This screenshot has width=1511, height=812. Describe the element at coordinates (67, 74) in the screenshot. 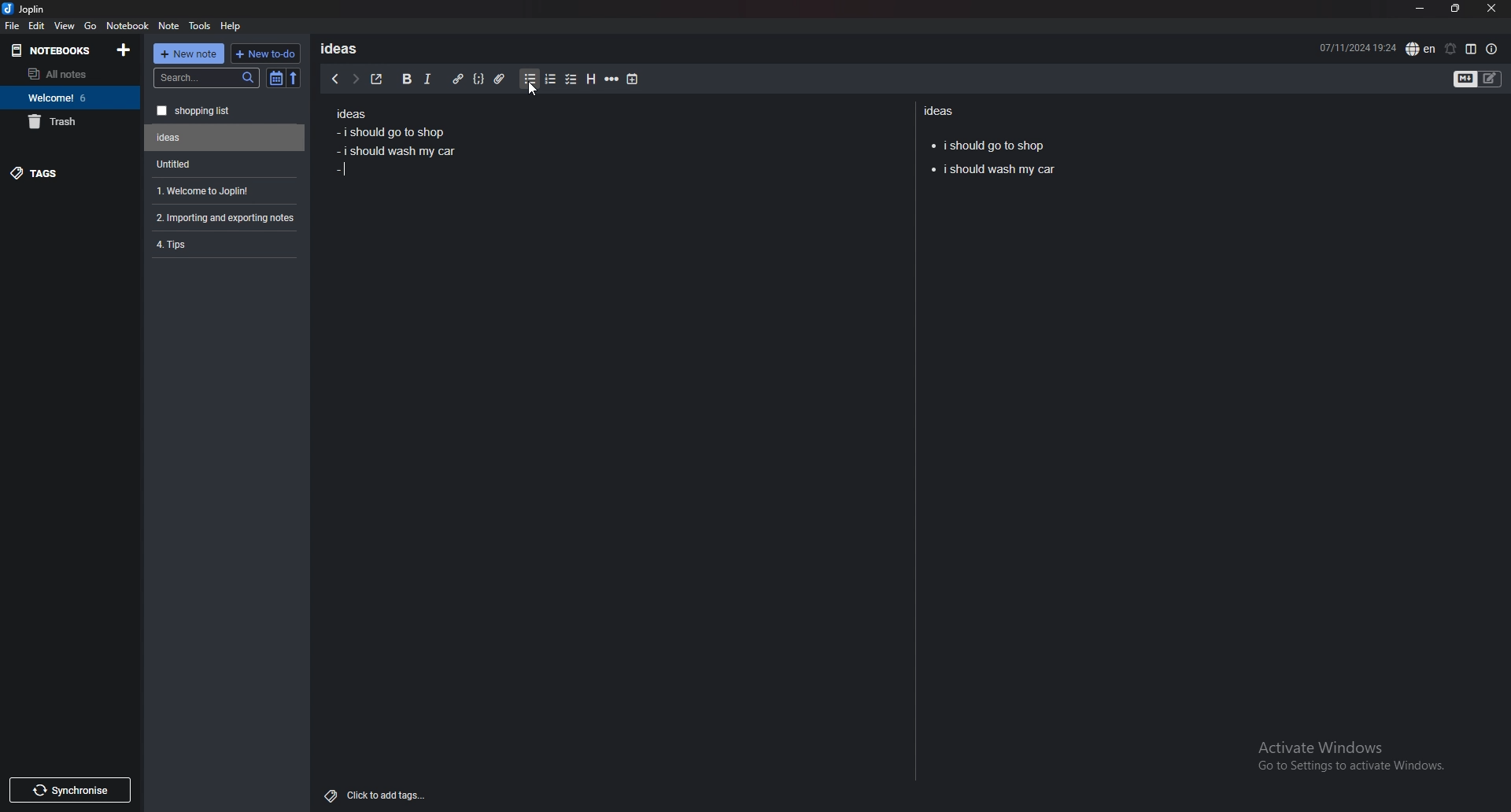

I see `all notes` at that location.